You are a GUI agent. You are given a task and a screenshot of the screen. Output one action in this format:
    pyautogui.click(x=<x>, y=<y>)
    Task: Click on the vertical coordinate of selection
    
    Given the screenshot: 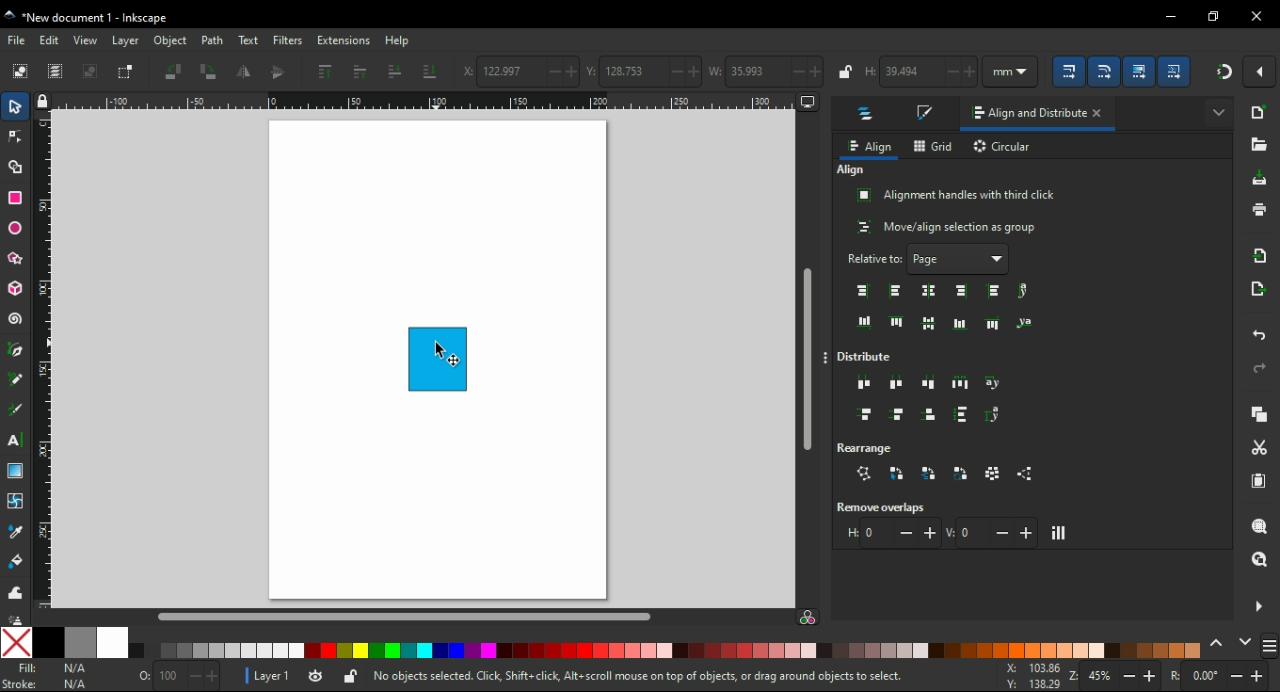 What is the action you would take?
    pyautogui.click(x=642, y=69)
    